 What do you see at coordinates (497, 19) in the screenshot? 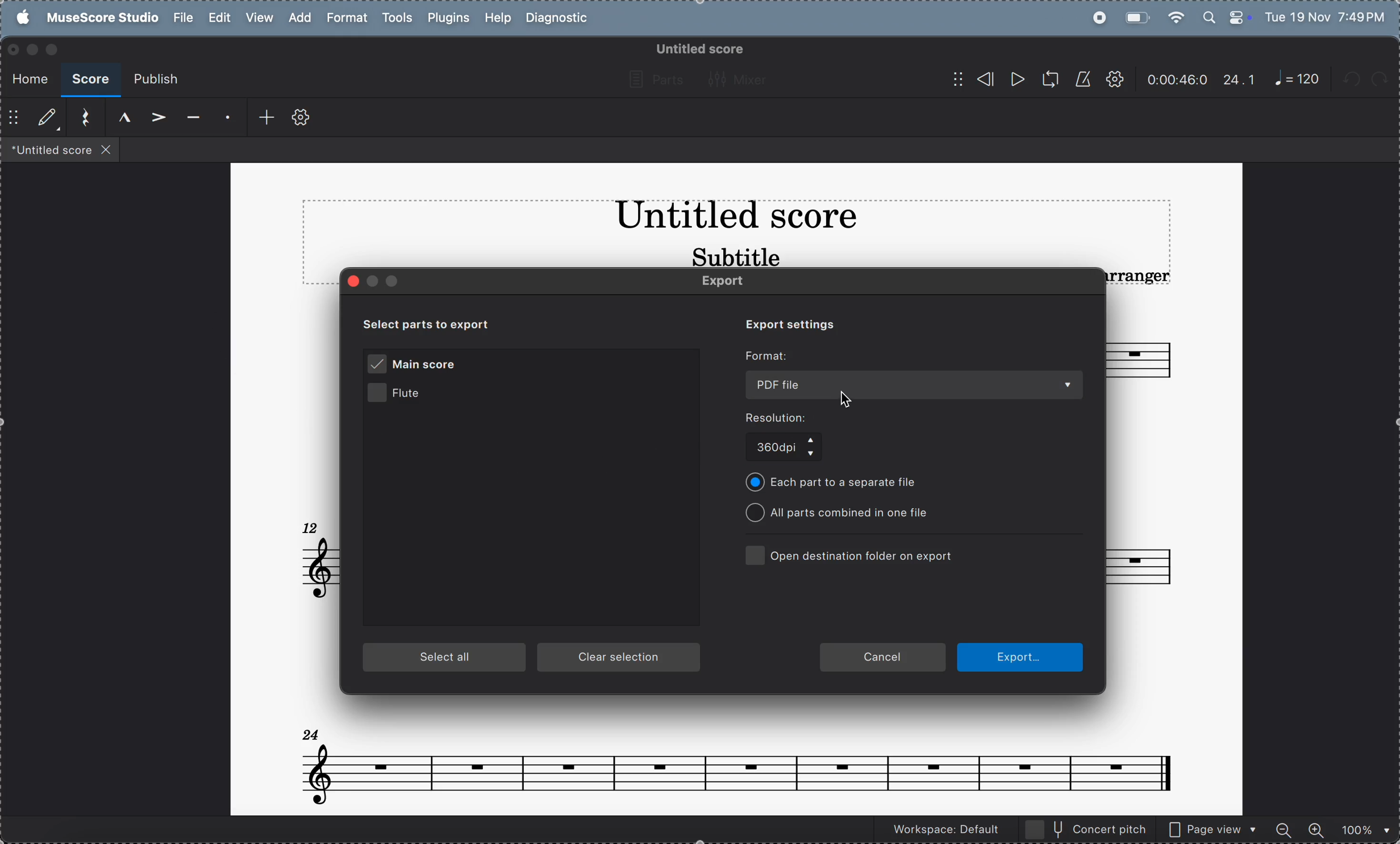
I see `help` at bounding box center [497, 19].